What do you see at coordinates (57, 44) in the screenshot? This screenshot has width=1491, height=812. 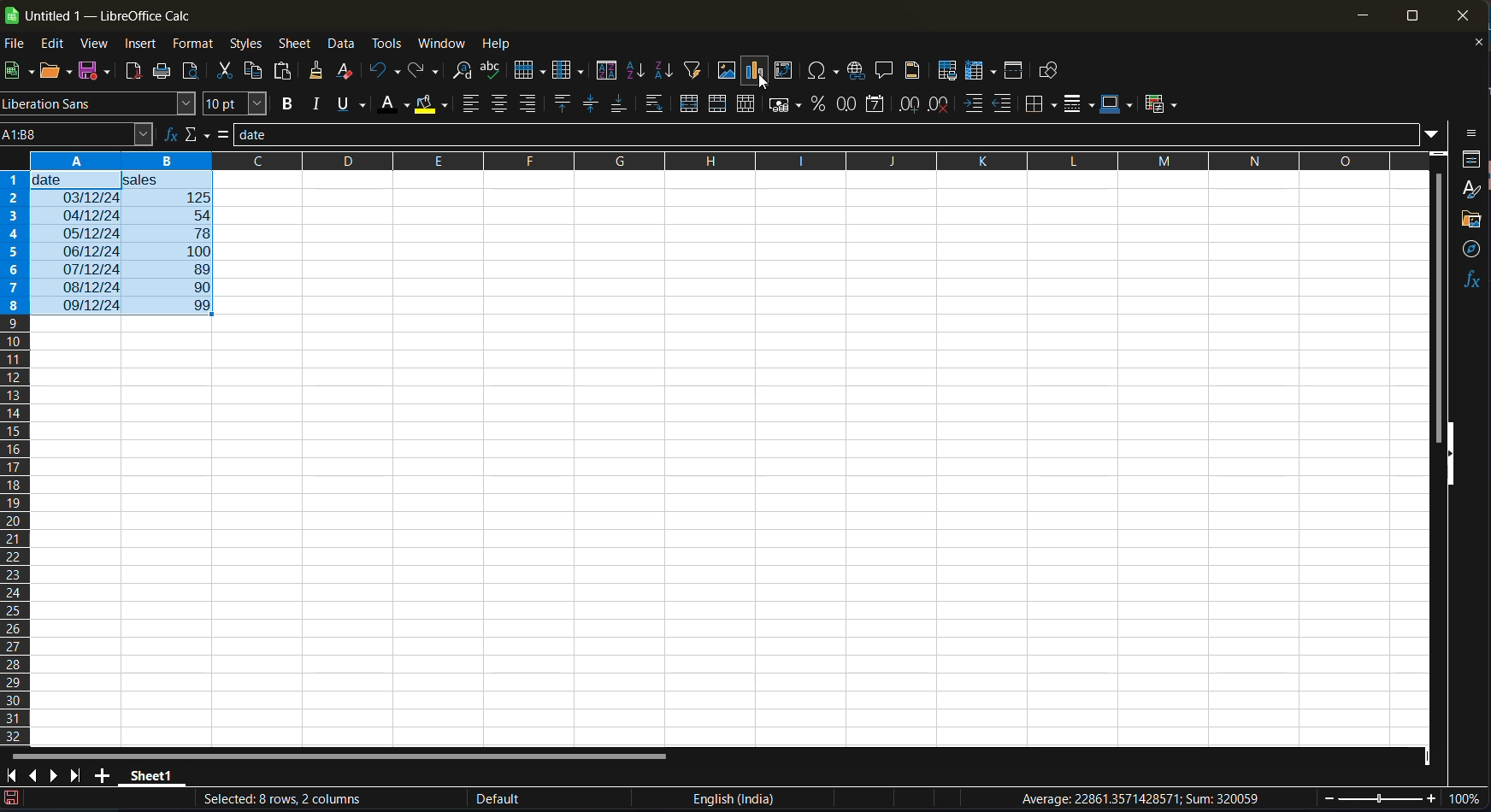 I see `edit` at bounding box center [57, 44].